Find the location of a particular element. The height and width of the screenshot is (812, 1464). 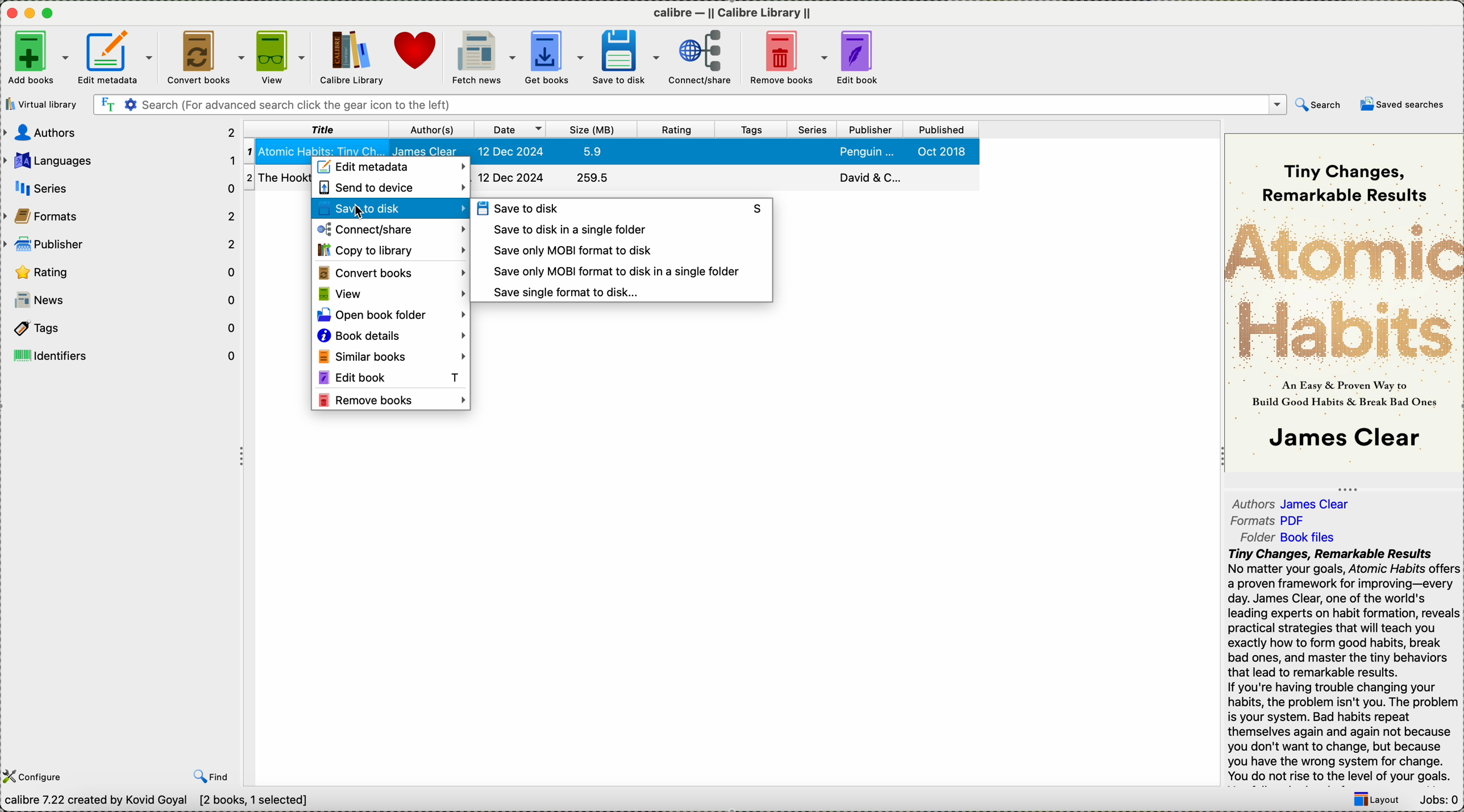

copy to library is located at coordinates (390, 249).